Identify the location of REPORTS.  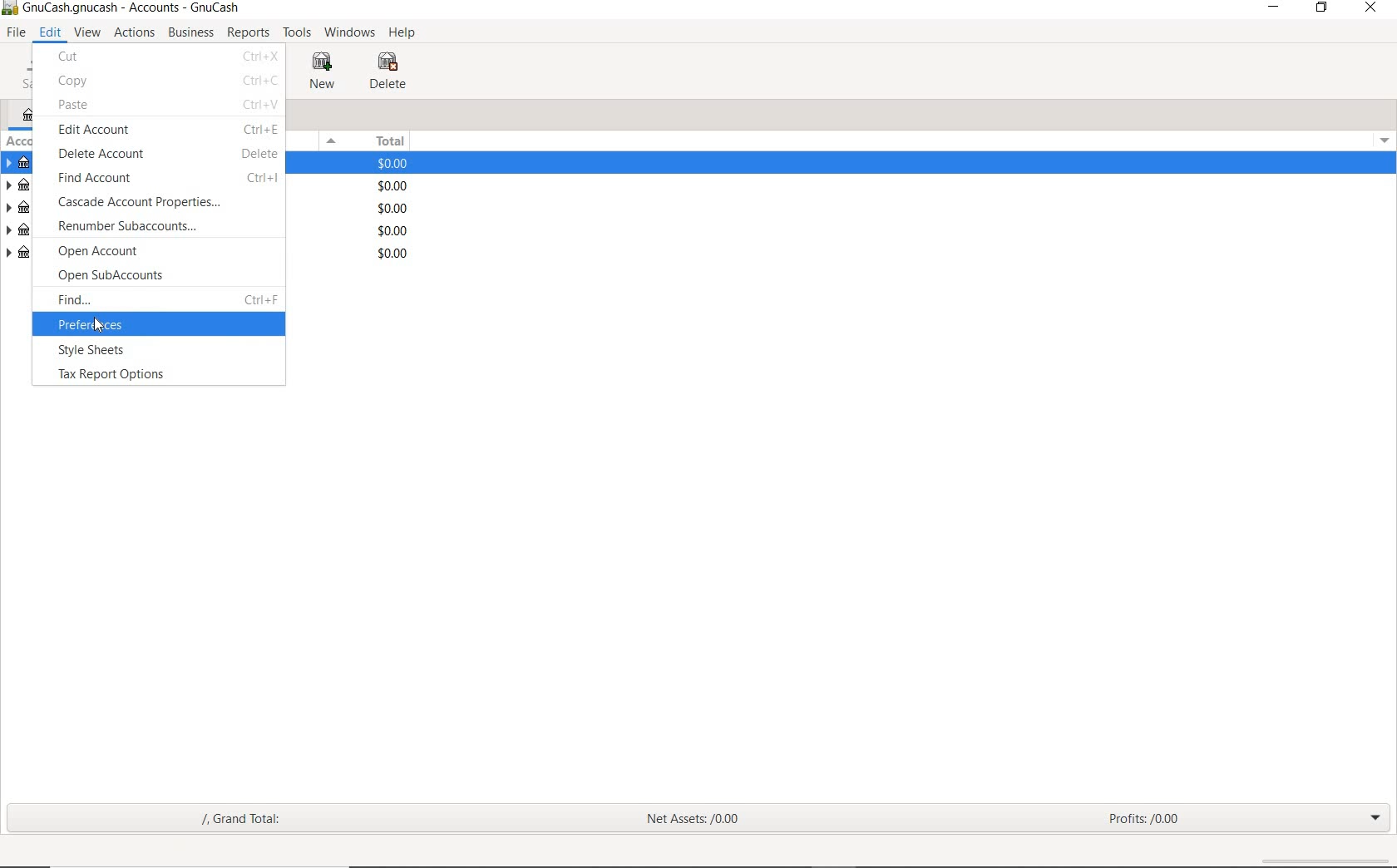
(249, 33).